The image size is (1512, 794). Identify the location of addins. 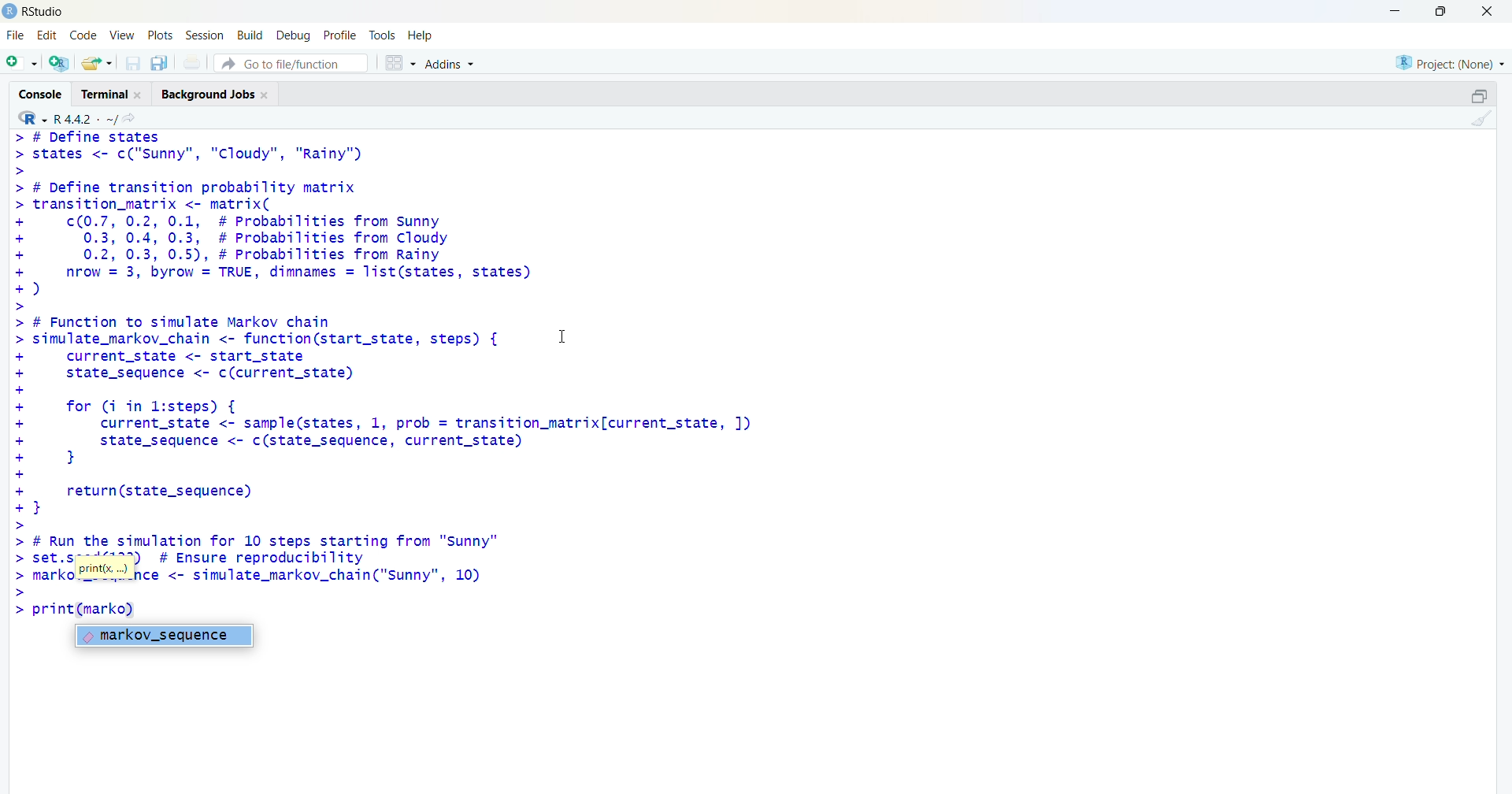
(453, 64).